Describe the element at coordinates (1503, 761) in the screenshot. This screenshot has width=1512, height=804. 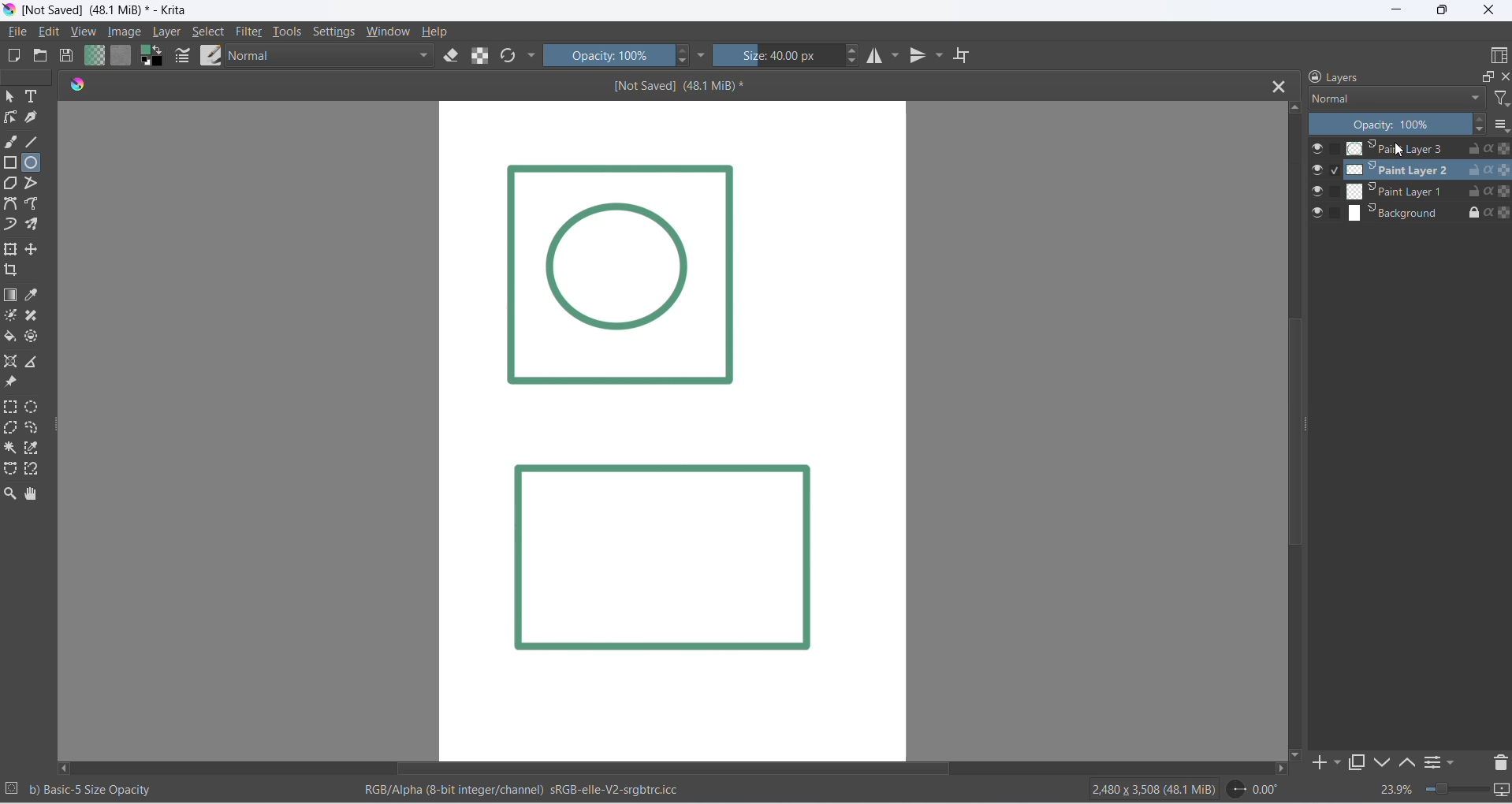
I see `delete` at that location.